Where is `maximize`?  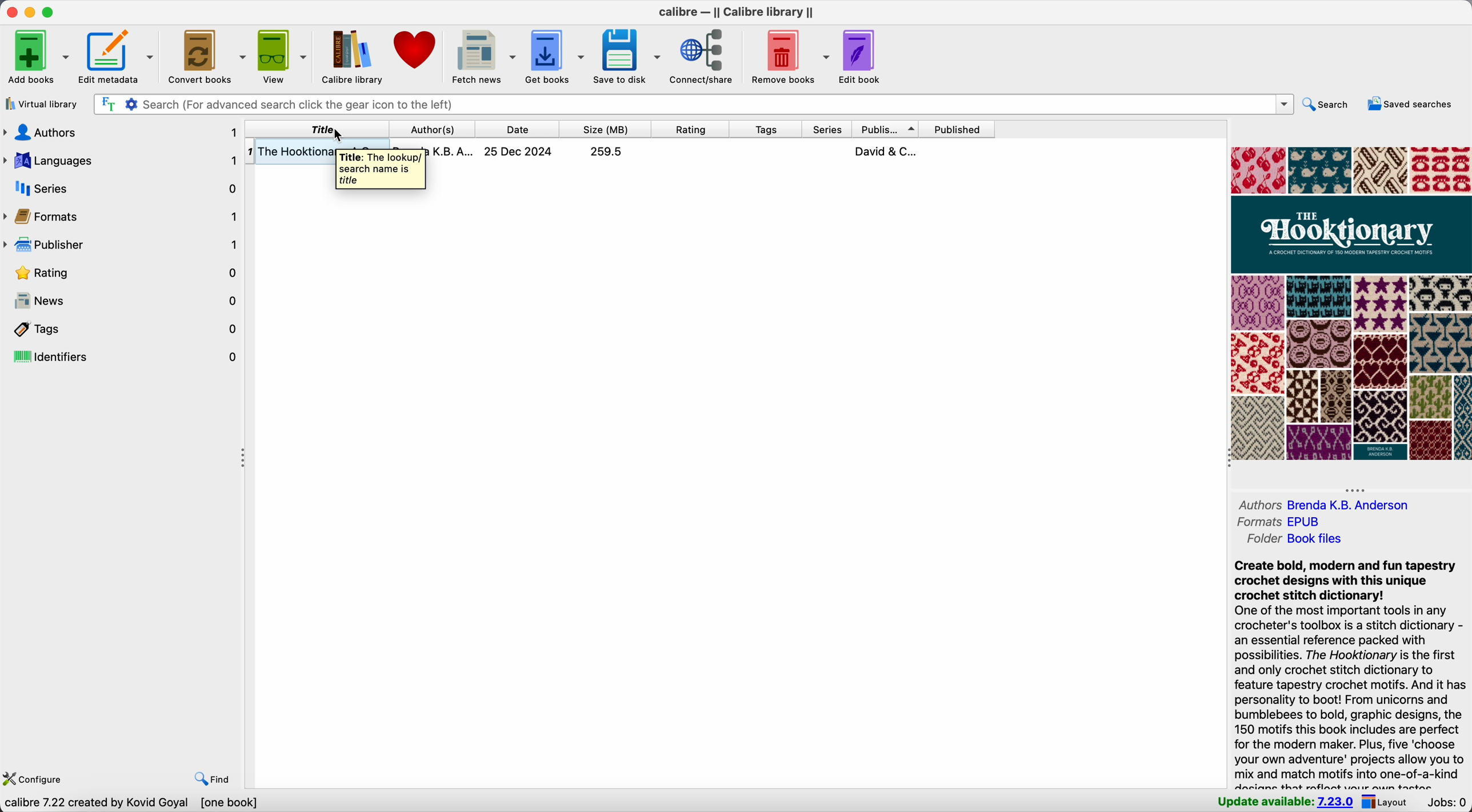 maximize is located at coordinates (49, 11).